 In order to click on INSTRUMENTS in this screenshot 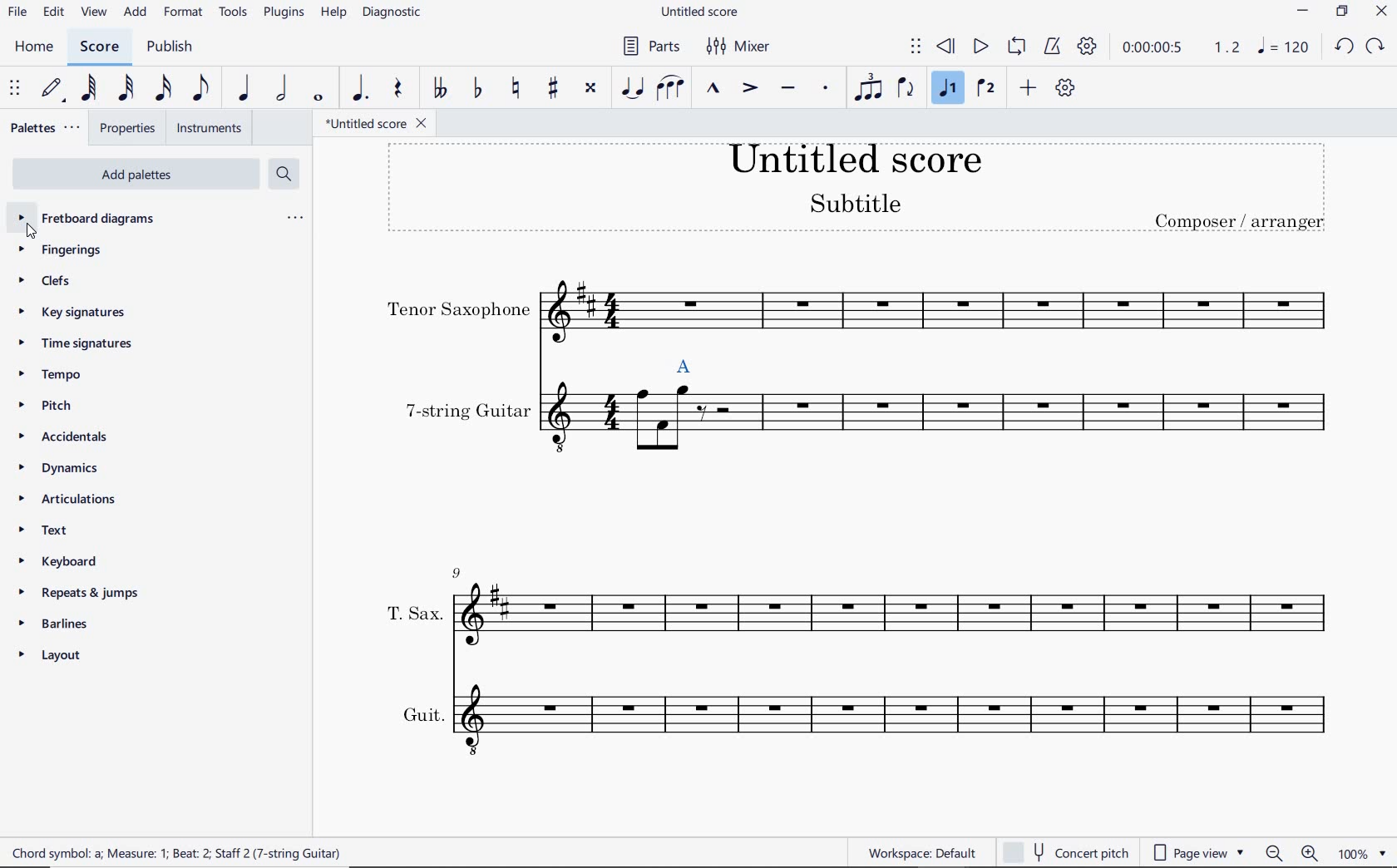, I will do `click(210, 129)`.